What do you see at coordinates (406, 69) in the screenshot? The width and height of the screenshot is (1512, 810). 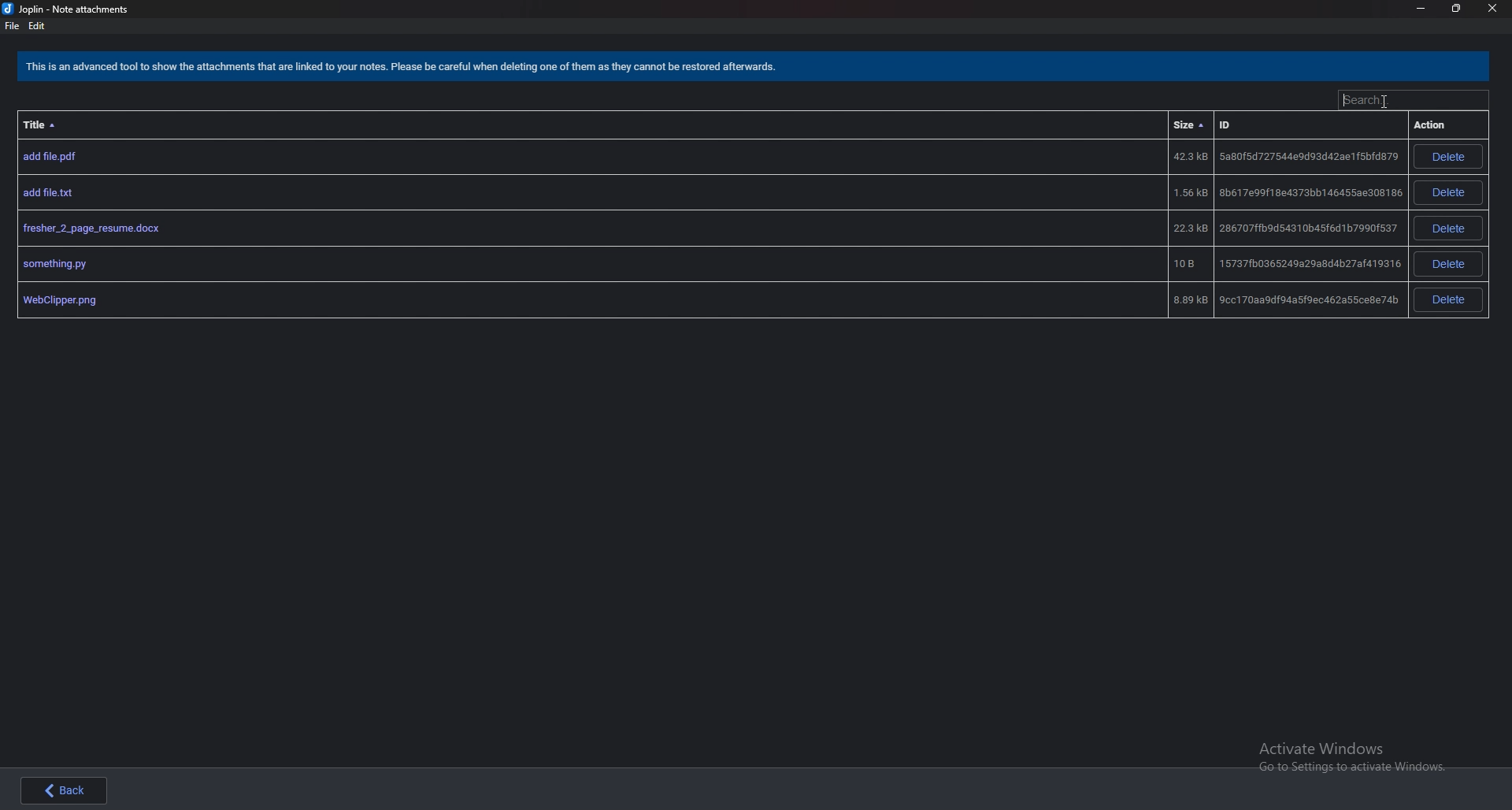 I see `Warning` at bounding box center [406, 69].